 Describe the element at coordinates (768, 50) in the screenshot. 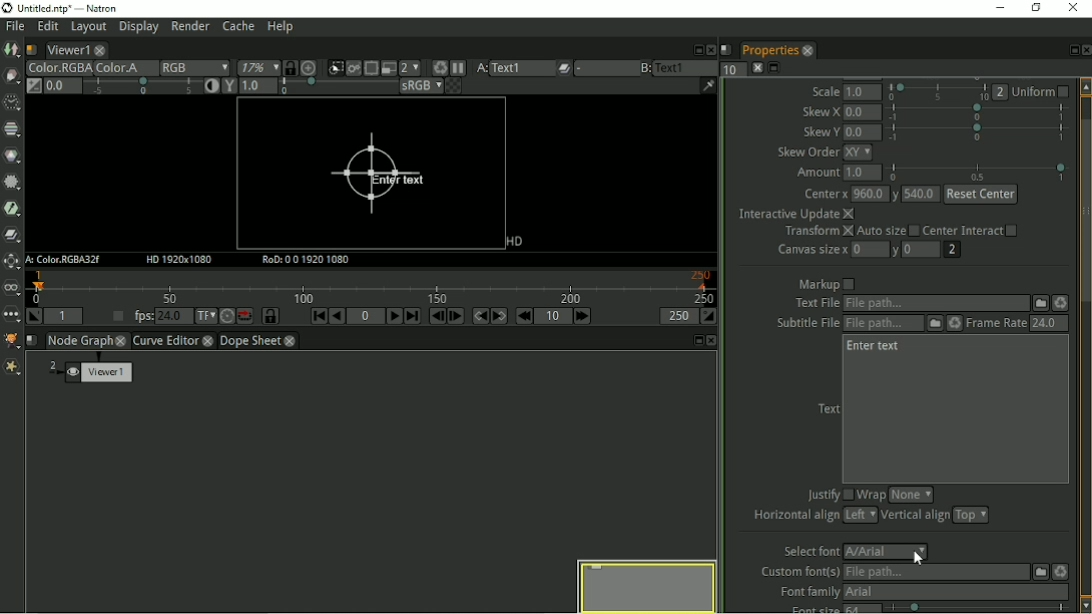

I see `Properties` at that location.